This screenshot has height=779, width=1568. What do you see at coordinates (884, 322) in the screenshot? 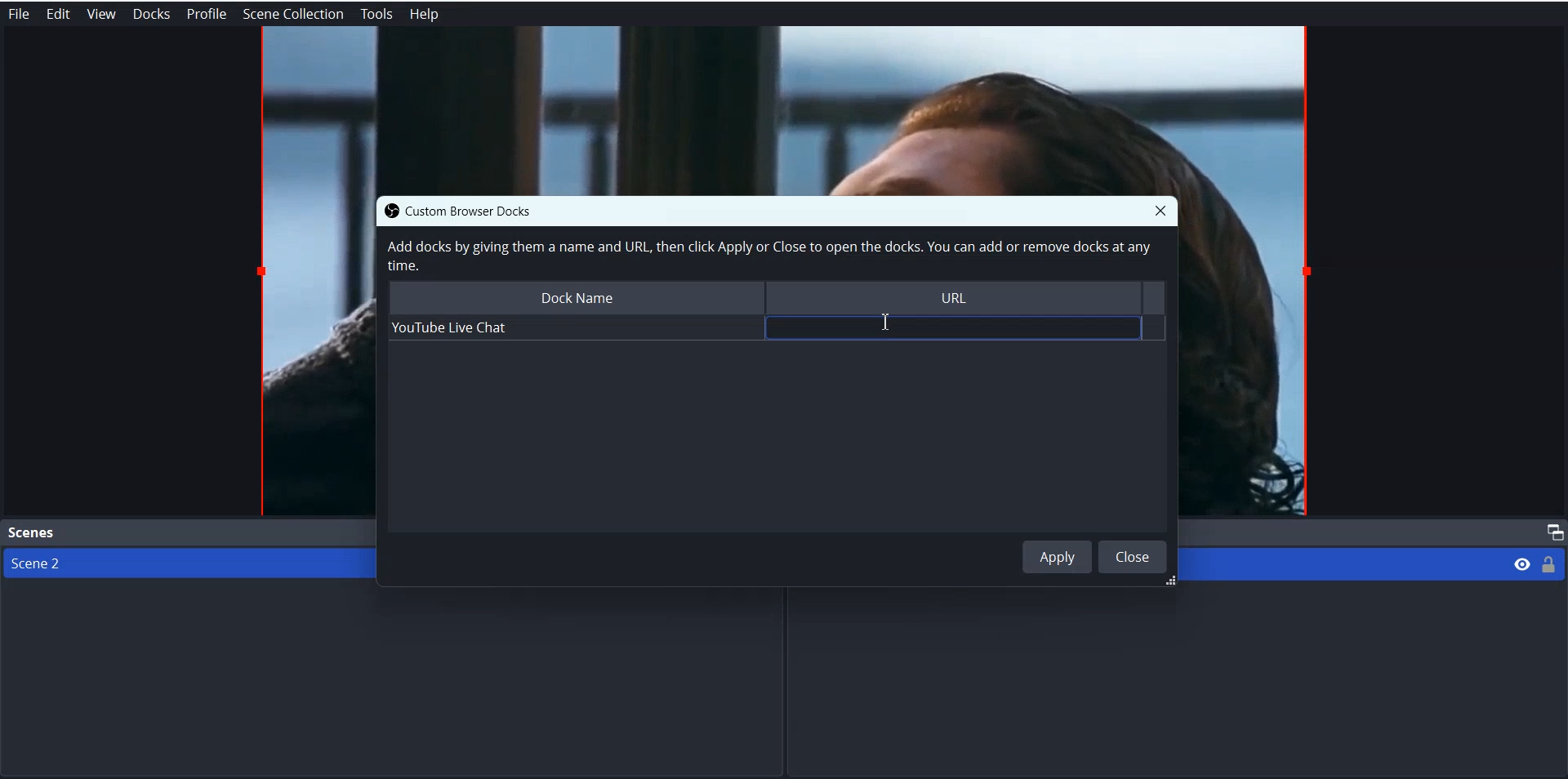
I see `Text Cursor` at bounding box center [884, 322].